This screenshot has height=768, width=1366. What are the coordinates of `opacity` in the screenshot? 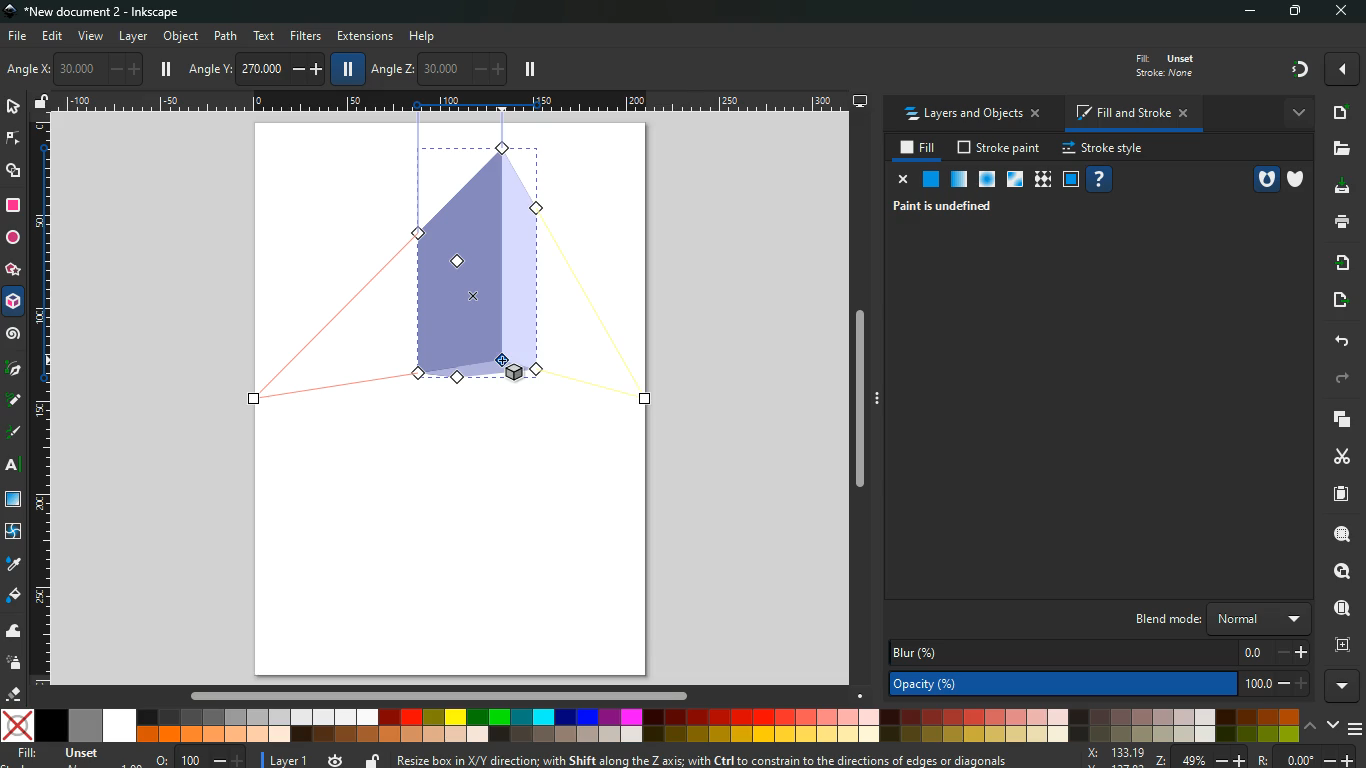 It's located at (959, 180).